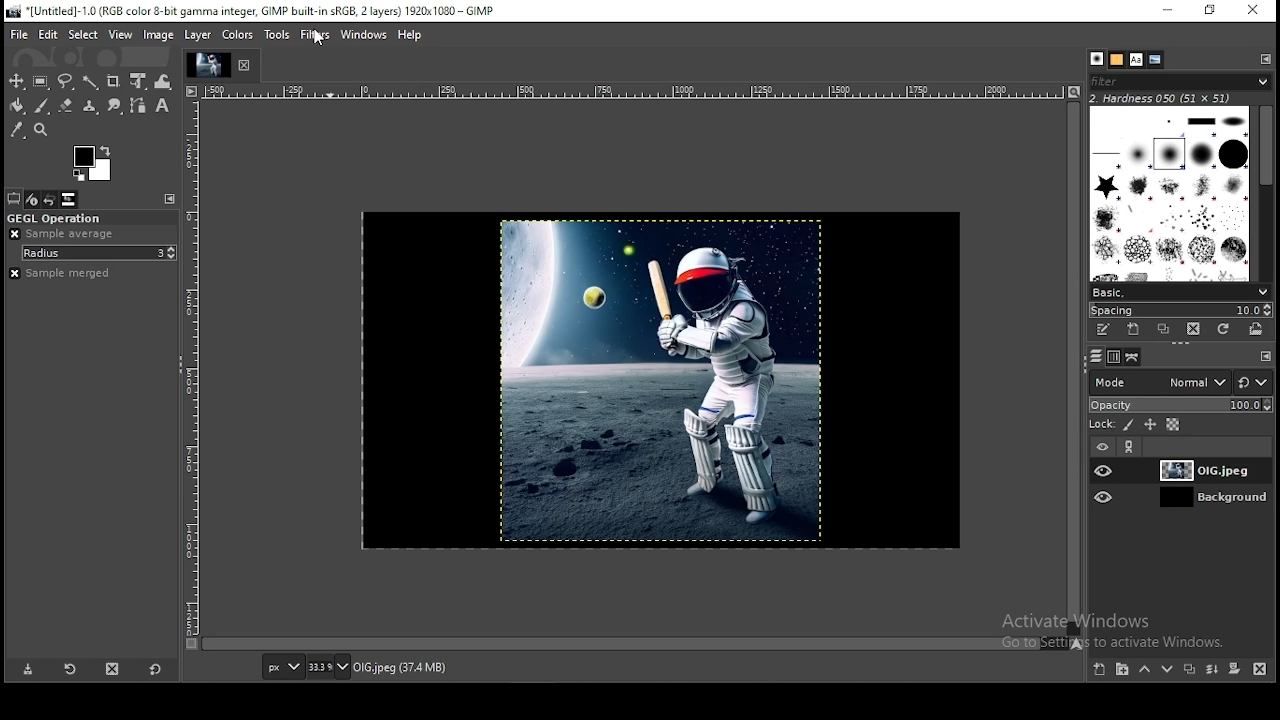 Image resolution: width=1280 pixels, height=720 pixels. Describe the element at coordinates (1192, 668) in the screenshot. I see `create a duplicate of the layer and insert it to the image` at that location.